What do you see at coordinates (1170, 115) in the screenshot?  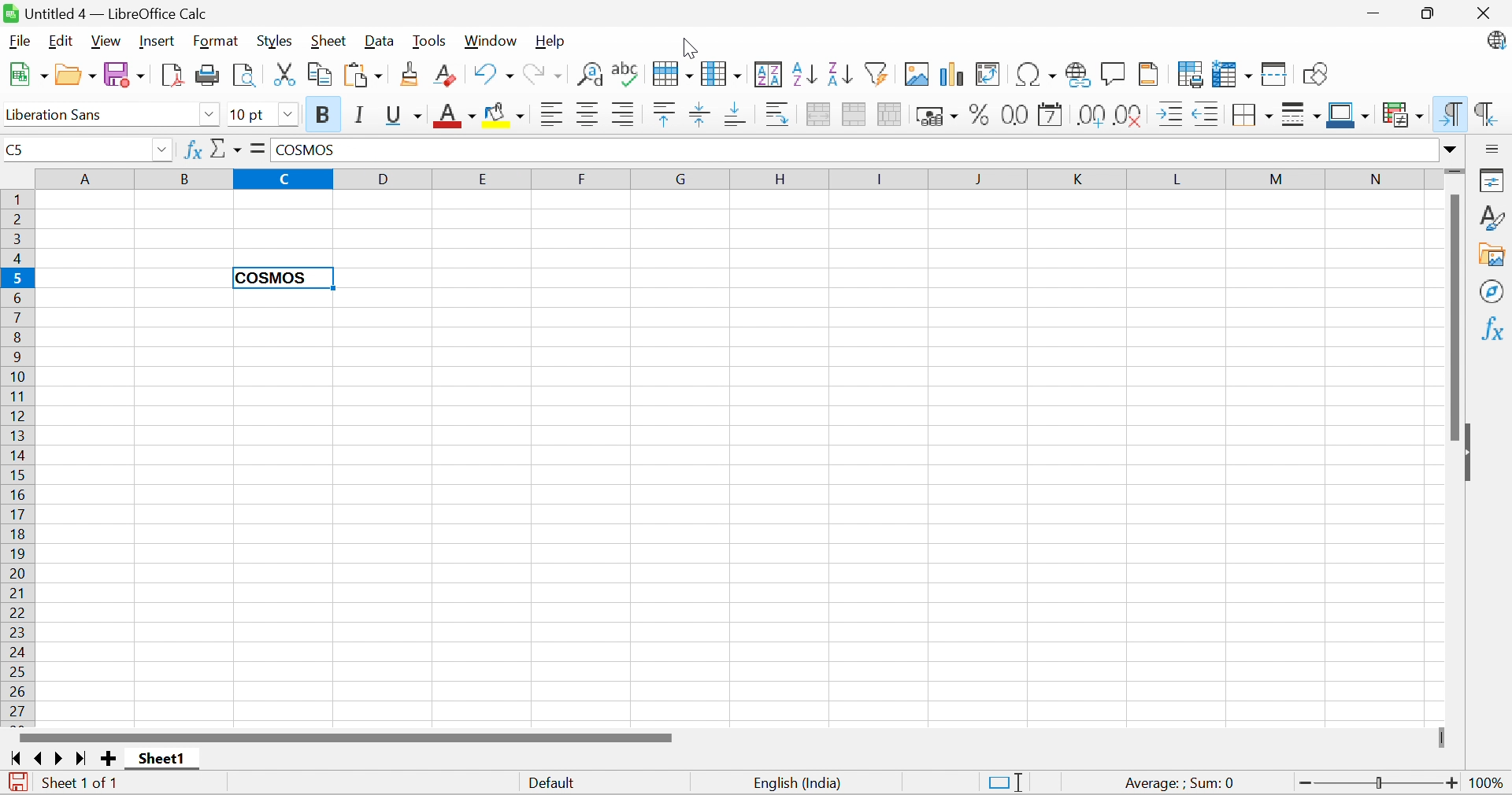 I see `Increase Indent` at bounding box center [1170, 115].